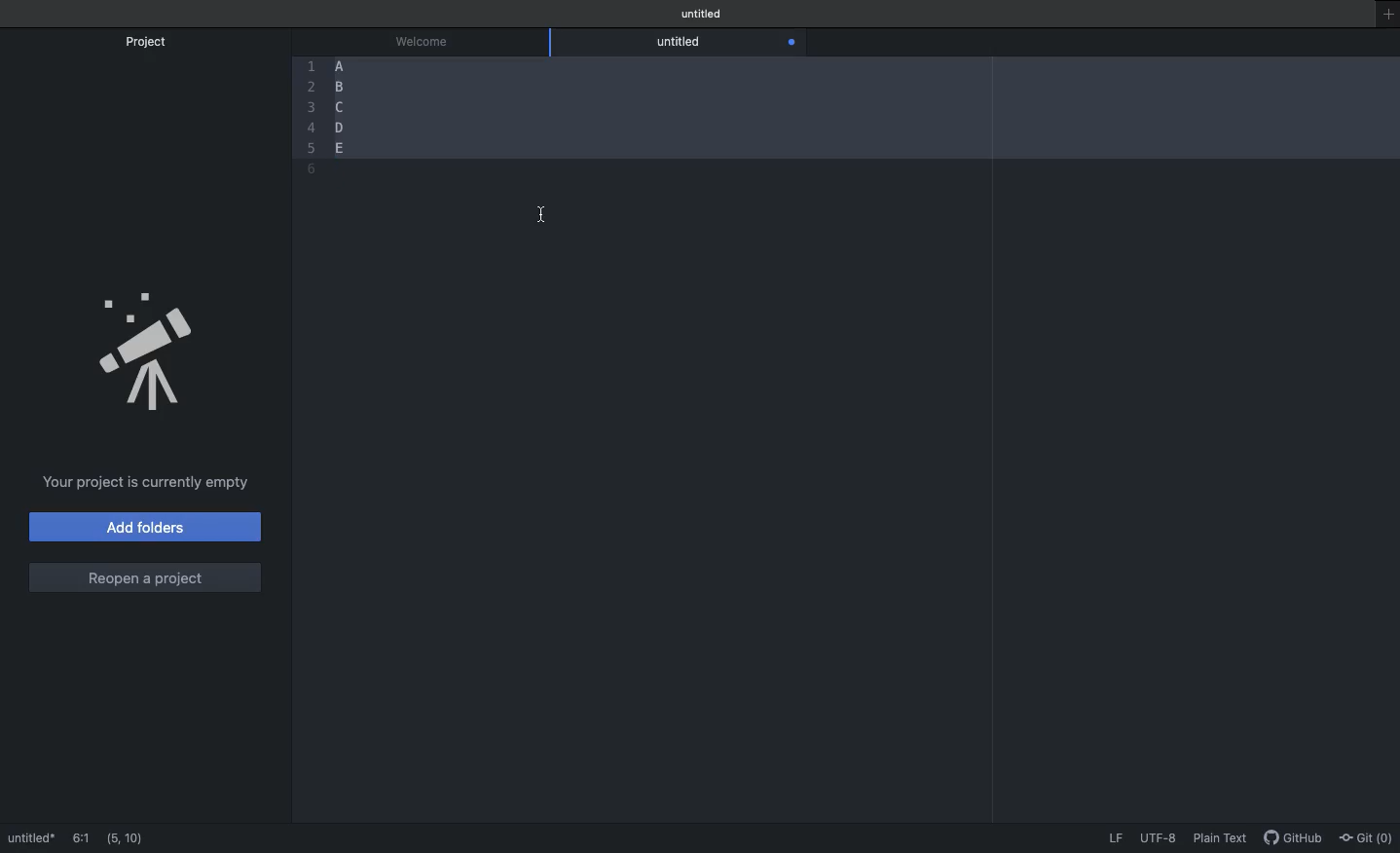  Describe the element at coordinates (1115, 840) in the screenshot. I see `LF` at that location.